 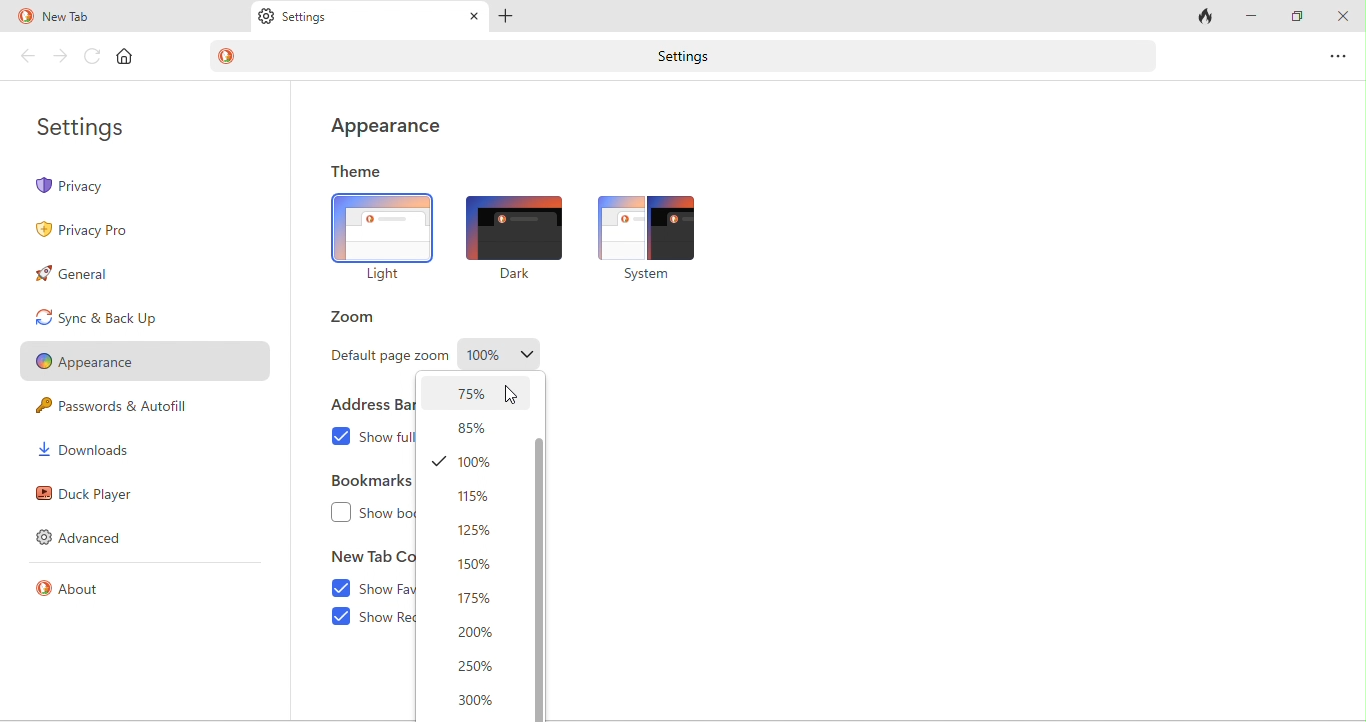 What do you see at coordinates (507, 17) in the screenshot?
I see `add` at bounding box center [507, 17].